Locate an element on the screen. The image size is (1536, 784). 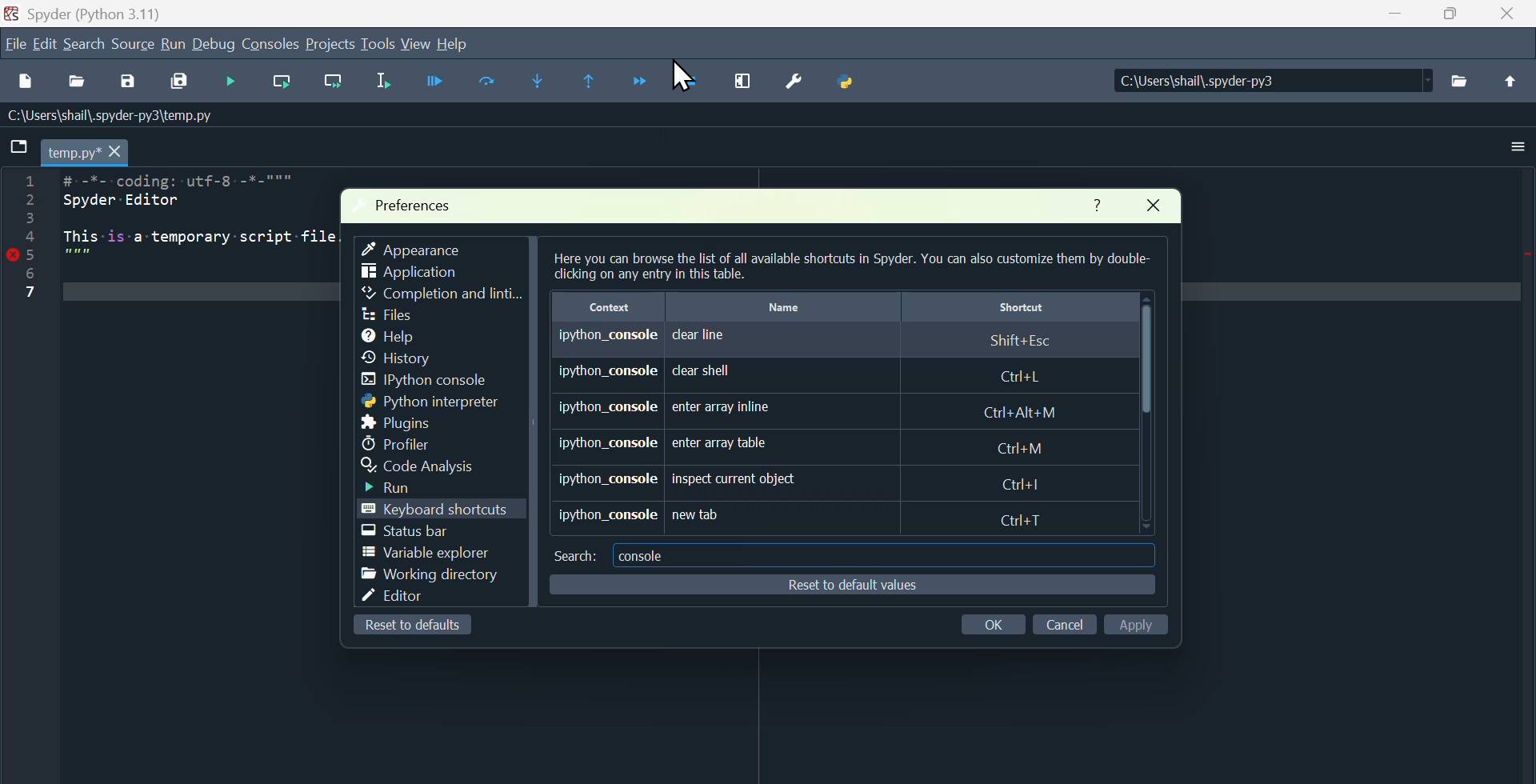
New file is located at coordinates (27, 85).